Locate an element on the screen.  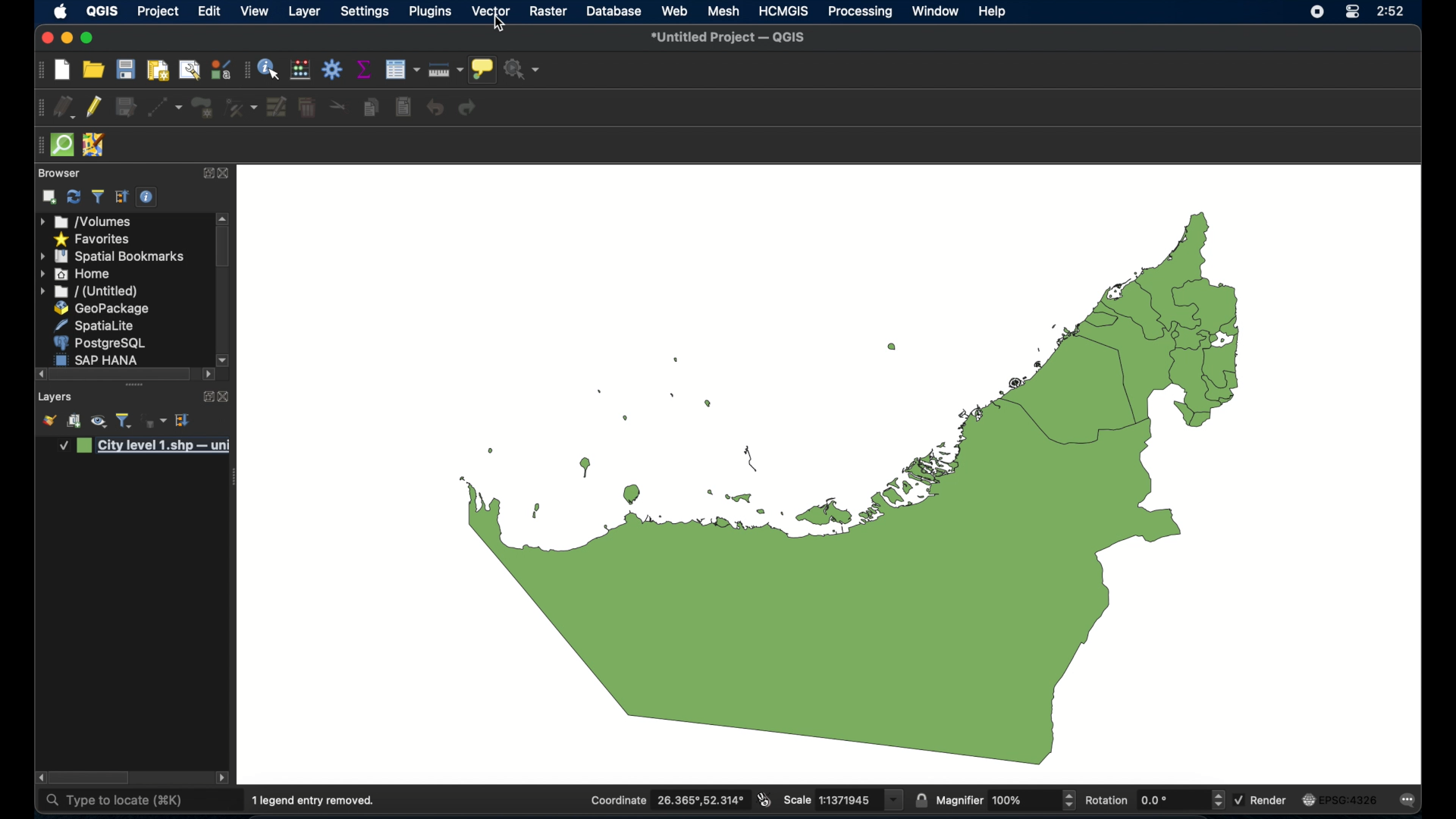
browser is located at coordinates (57, 172).